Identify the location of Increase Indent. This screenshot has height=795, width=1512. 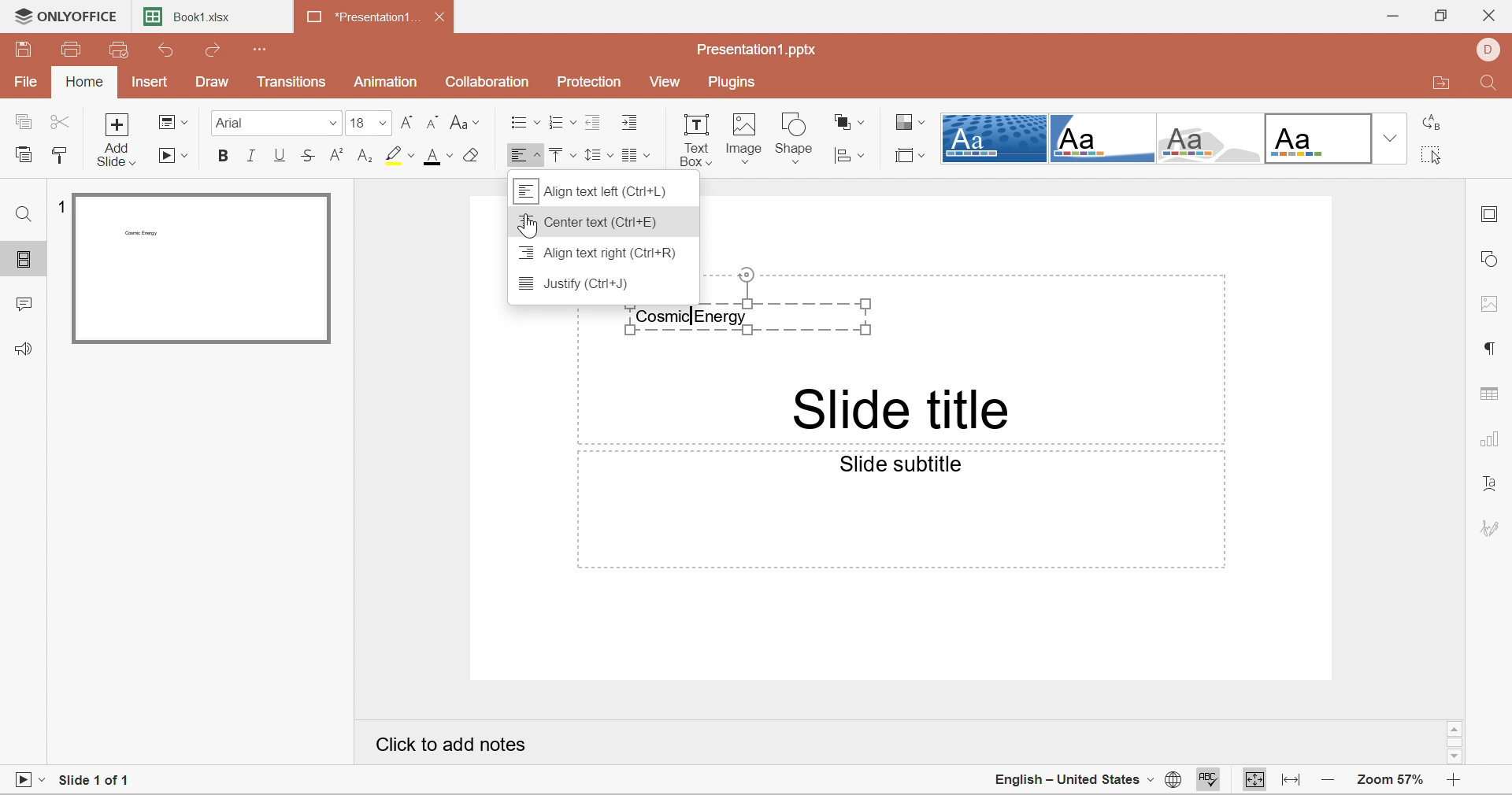
(632, 122).